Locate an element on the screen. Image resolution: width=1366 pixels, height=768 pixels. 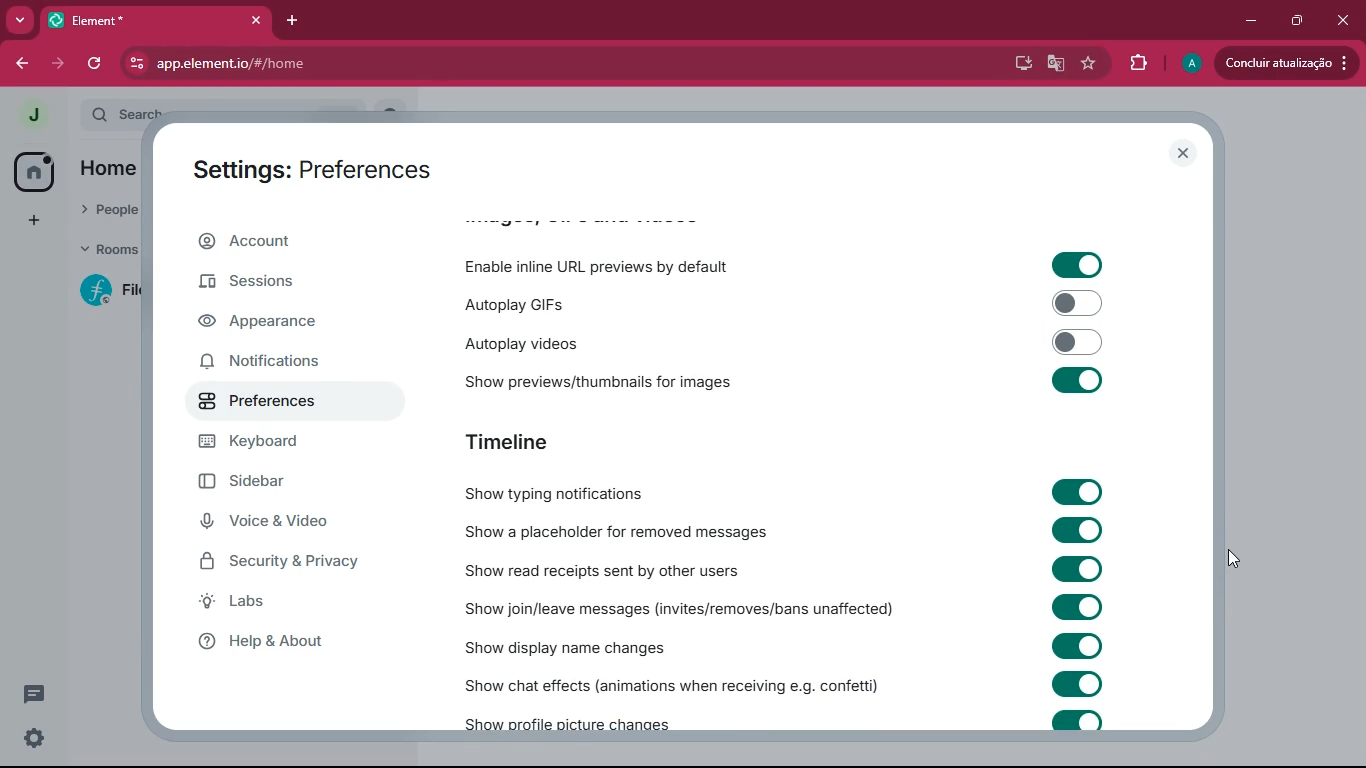
profile picture is located at coordinates (1195, 61).